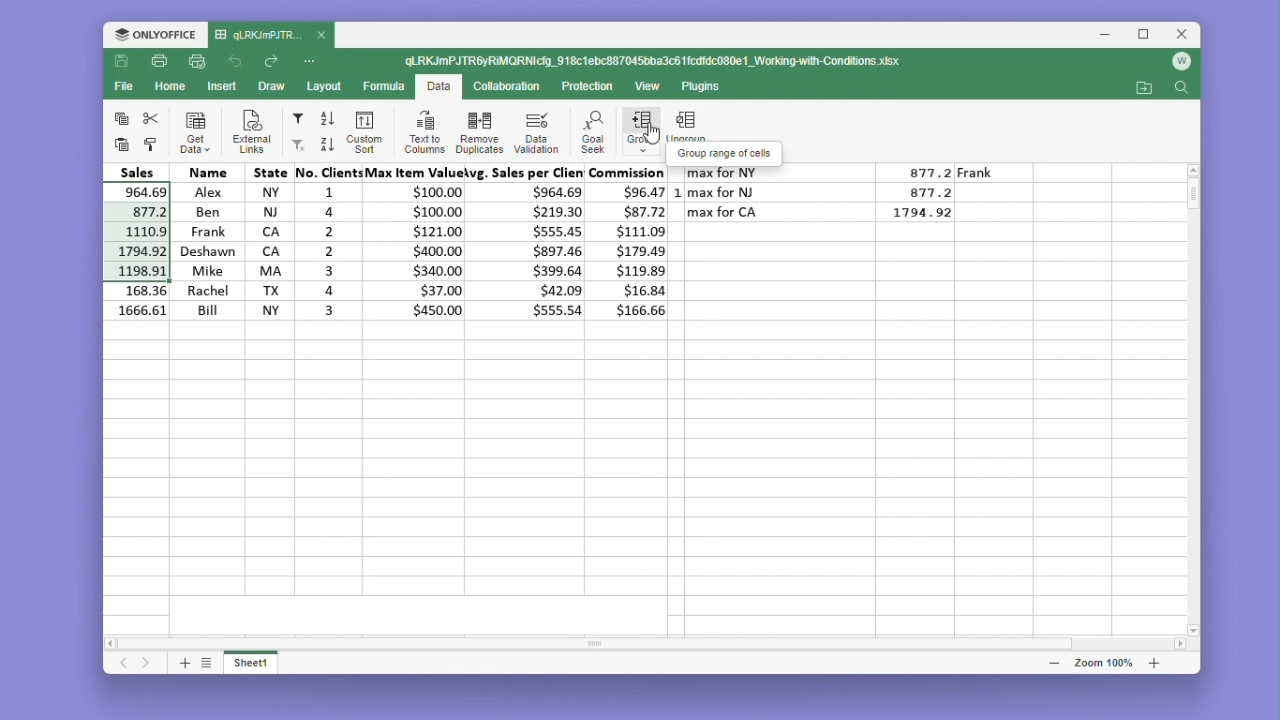 The image size is (1280, 720). I want to click on Previous sheet, so click(125, 664).